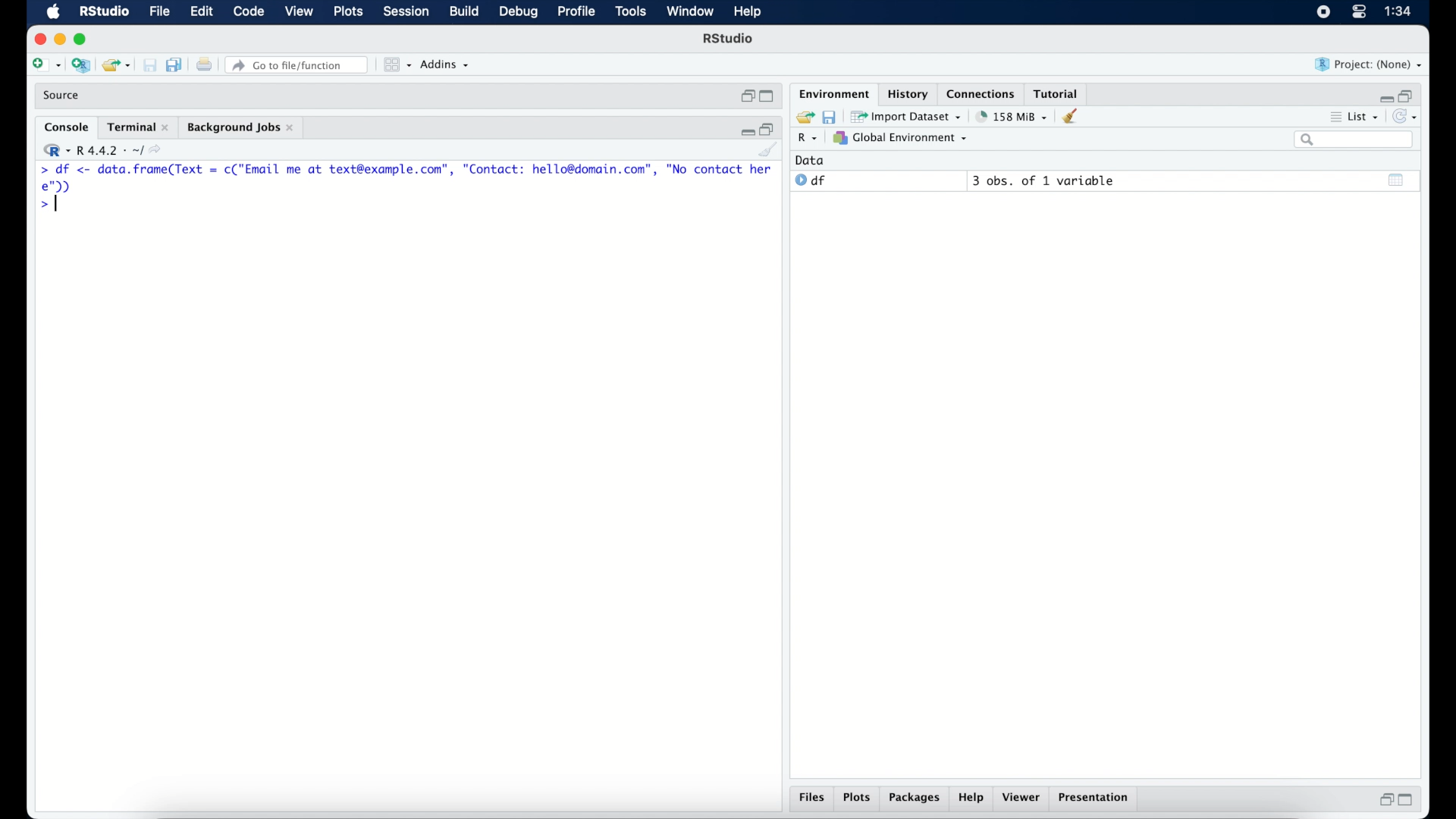 This screenshot has width=1456, height=819. What do you see at coordinates (1396, 181) in the screenshot?
I see `show output window` at bounding box center [1396, 181].